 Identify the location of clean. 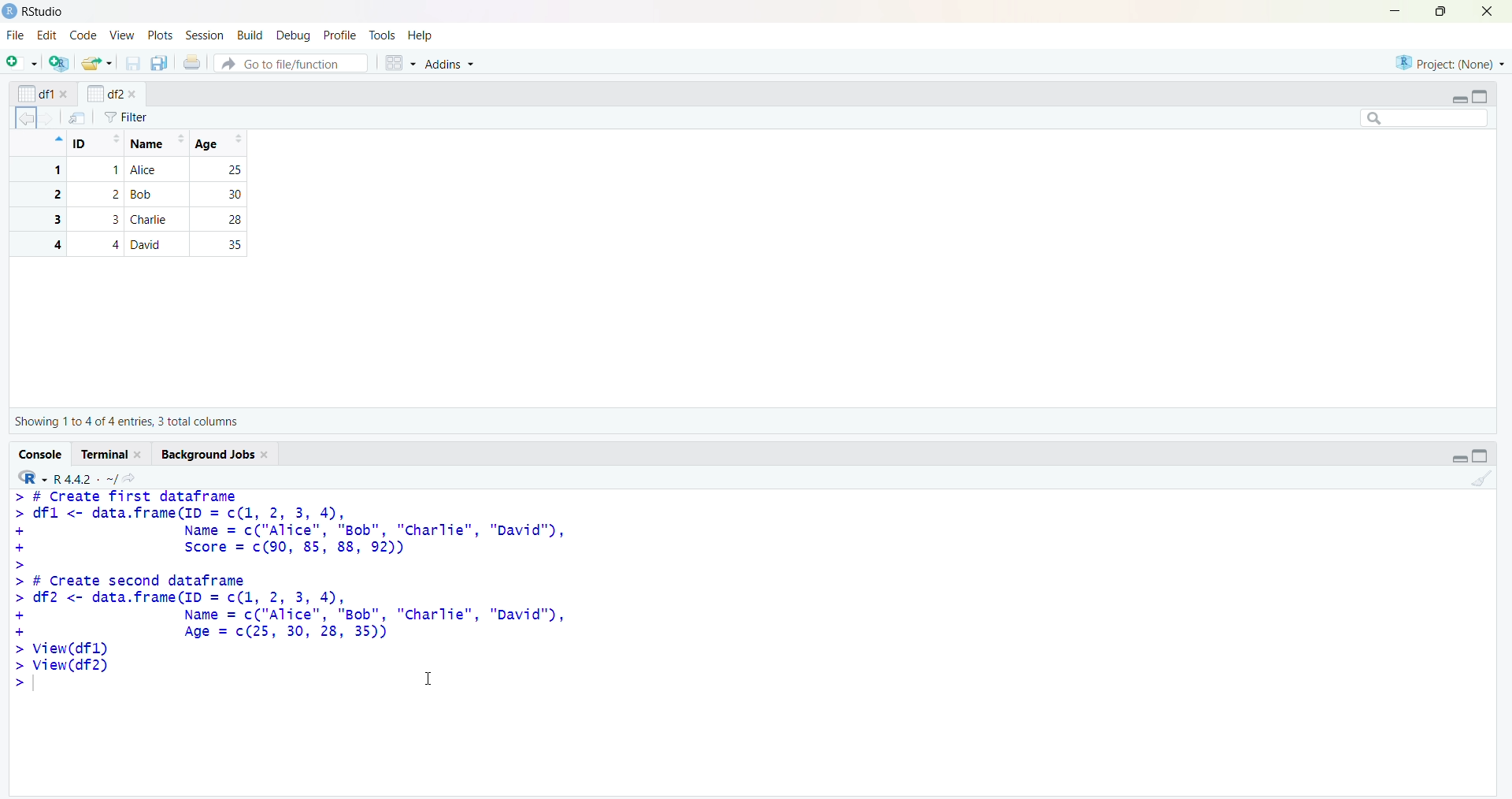
(1483, 479).